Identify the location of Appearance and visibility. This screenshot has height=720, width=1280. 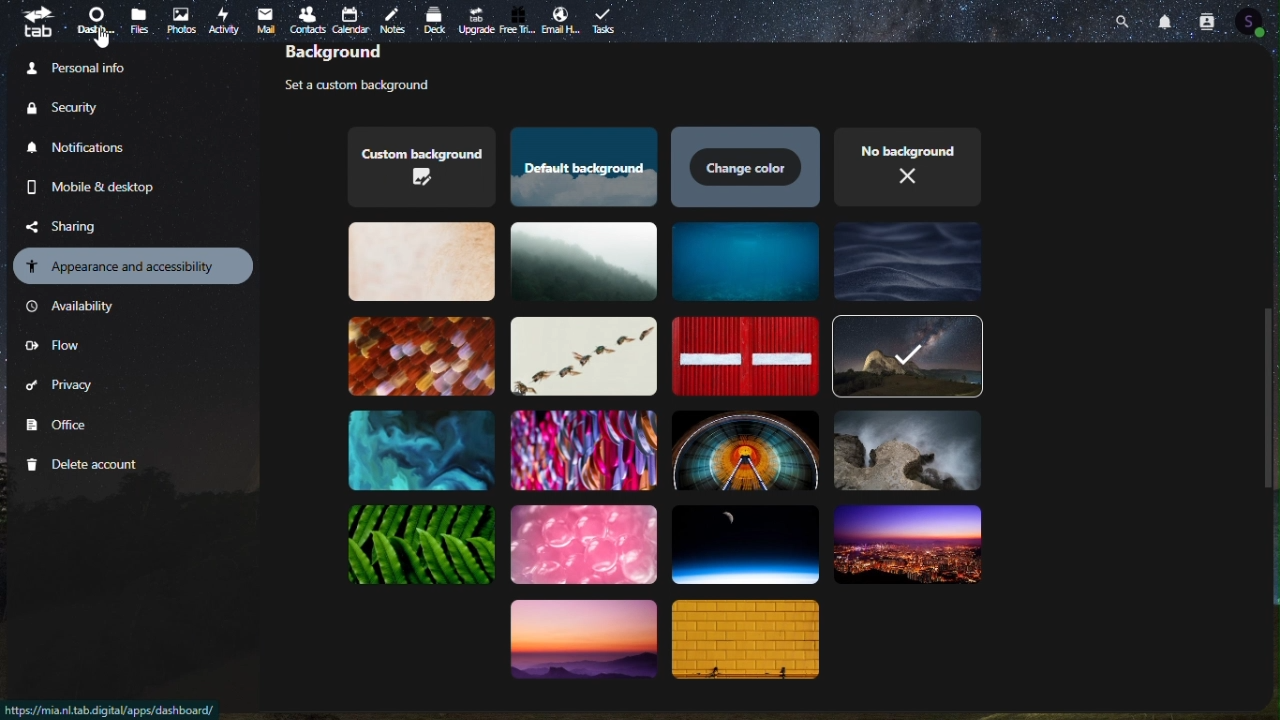
(135, 265).